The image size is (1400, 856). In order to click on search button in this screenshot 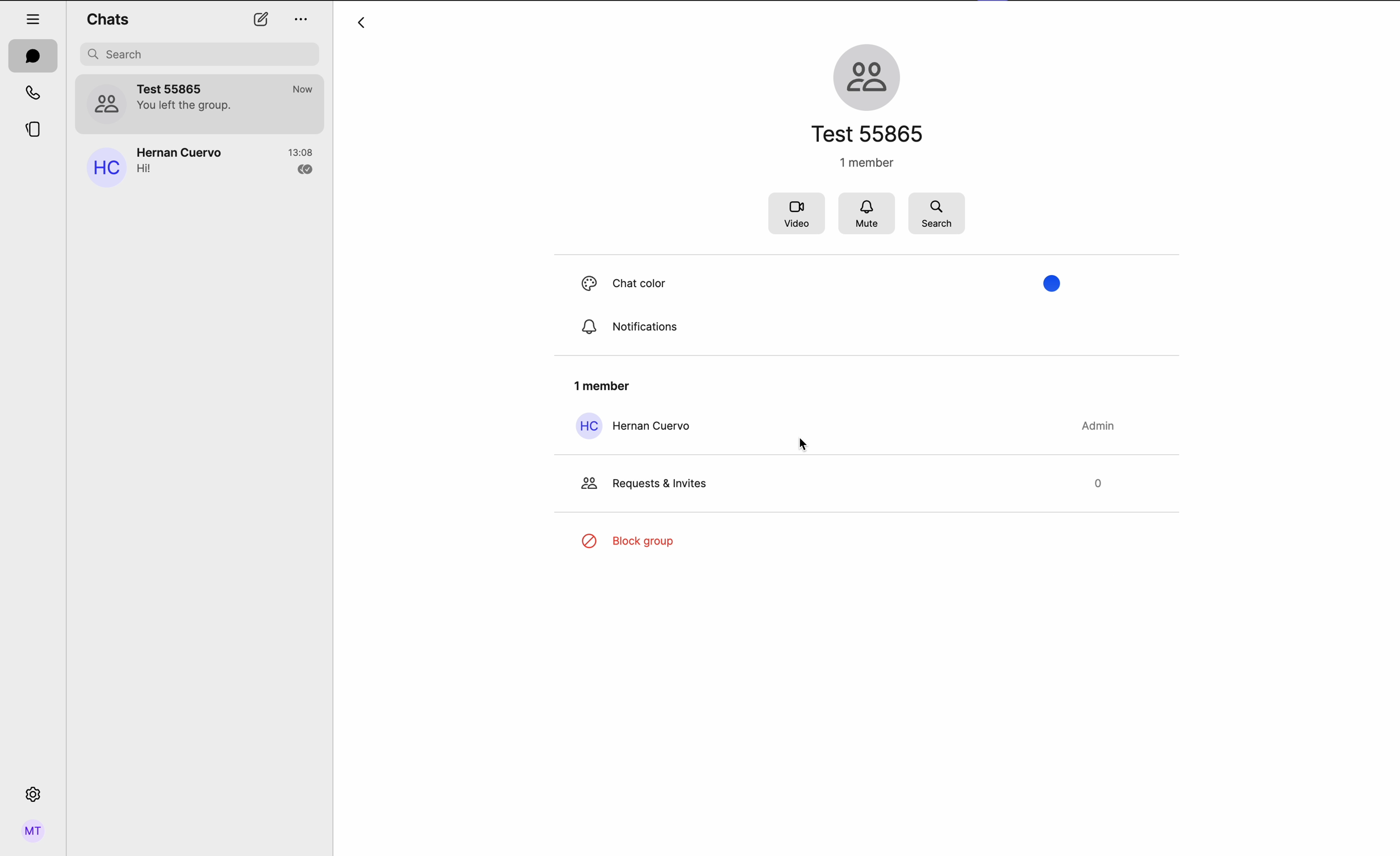, I will do `click(936, 213)`.